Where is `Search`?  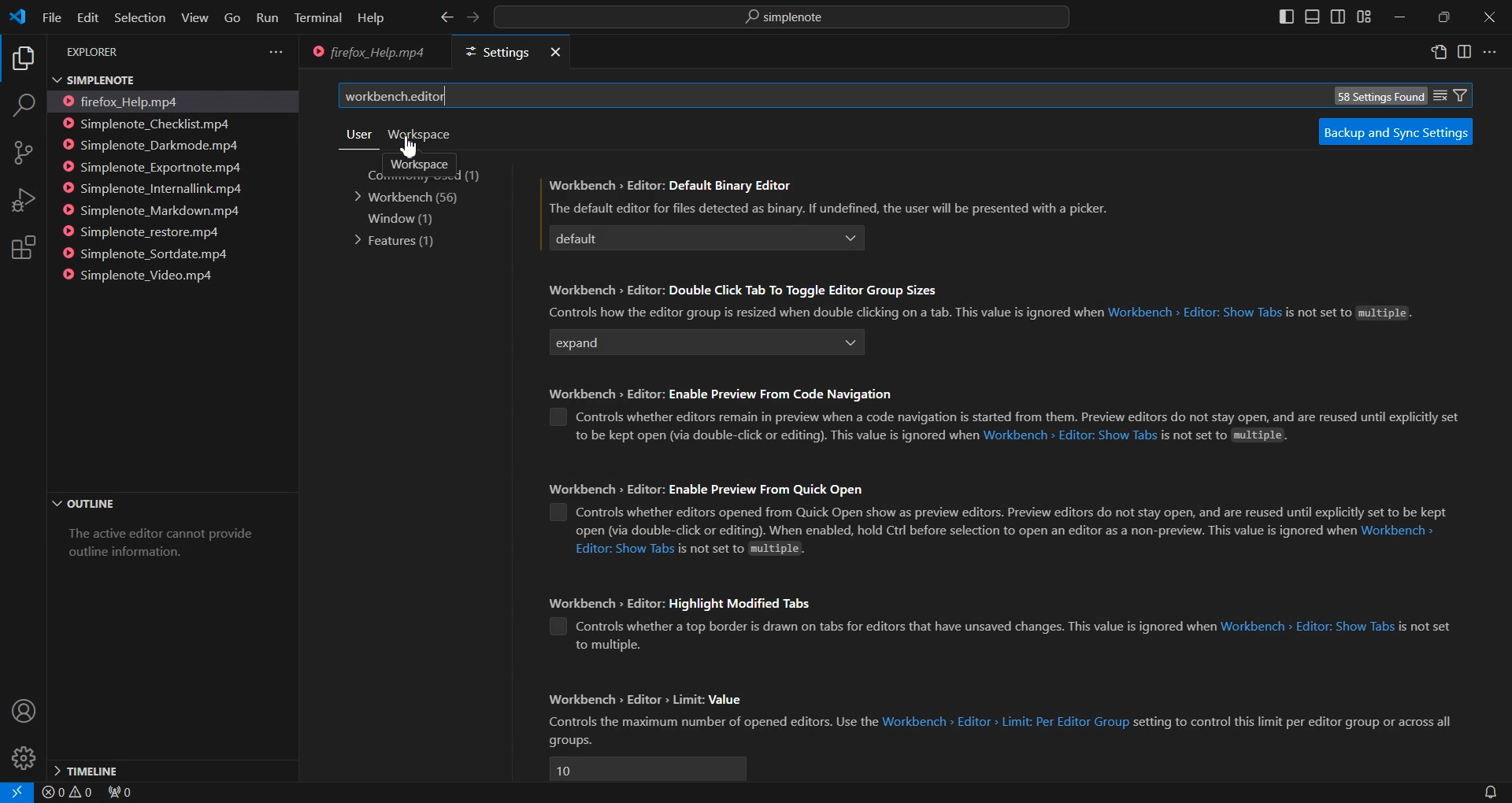 Search is located at coordinates (23, 108).